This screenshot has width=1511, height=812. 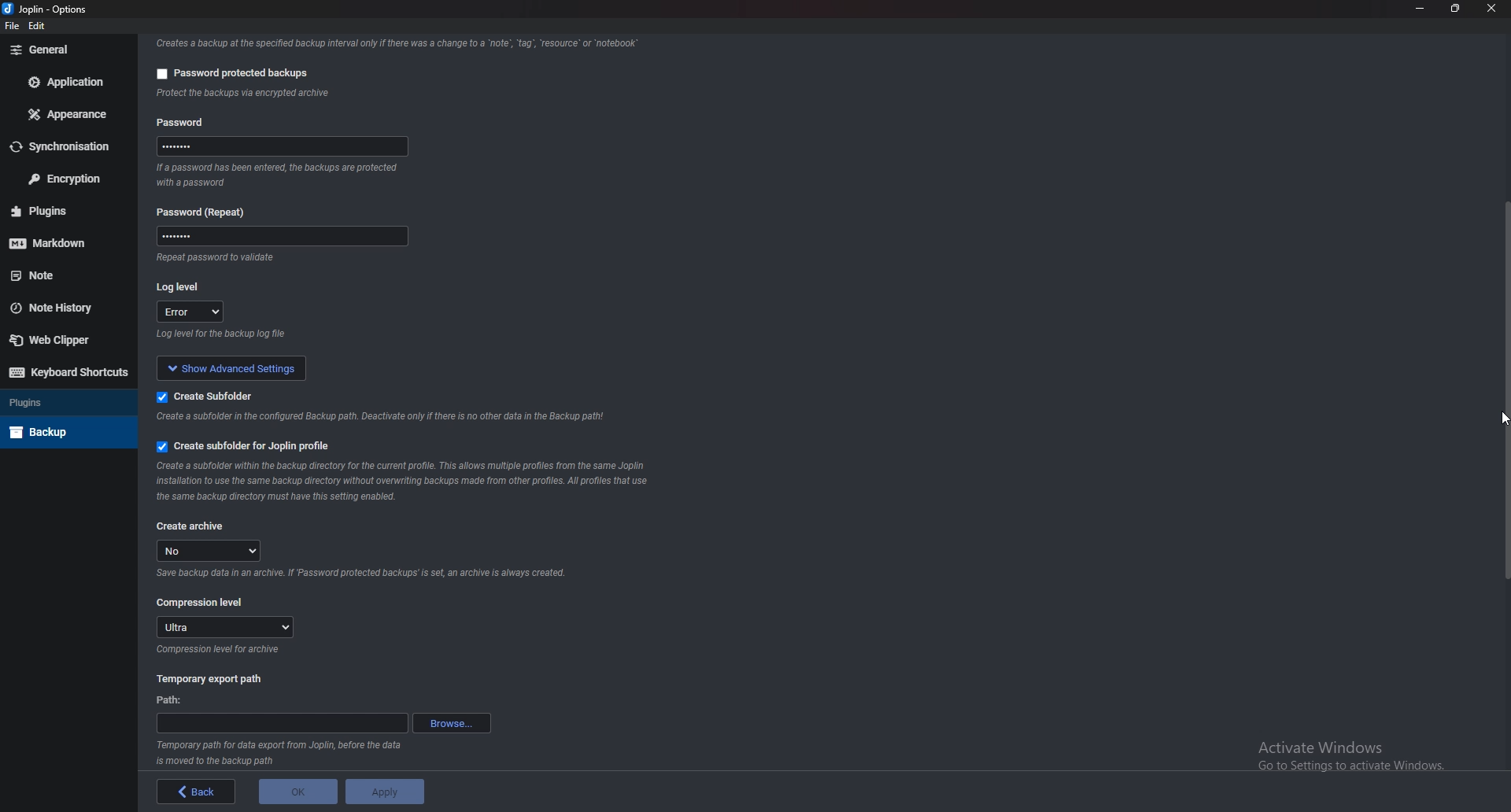 I want to click on activate windows, so click(x=1362, y=752).